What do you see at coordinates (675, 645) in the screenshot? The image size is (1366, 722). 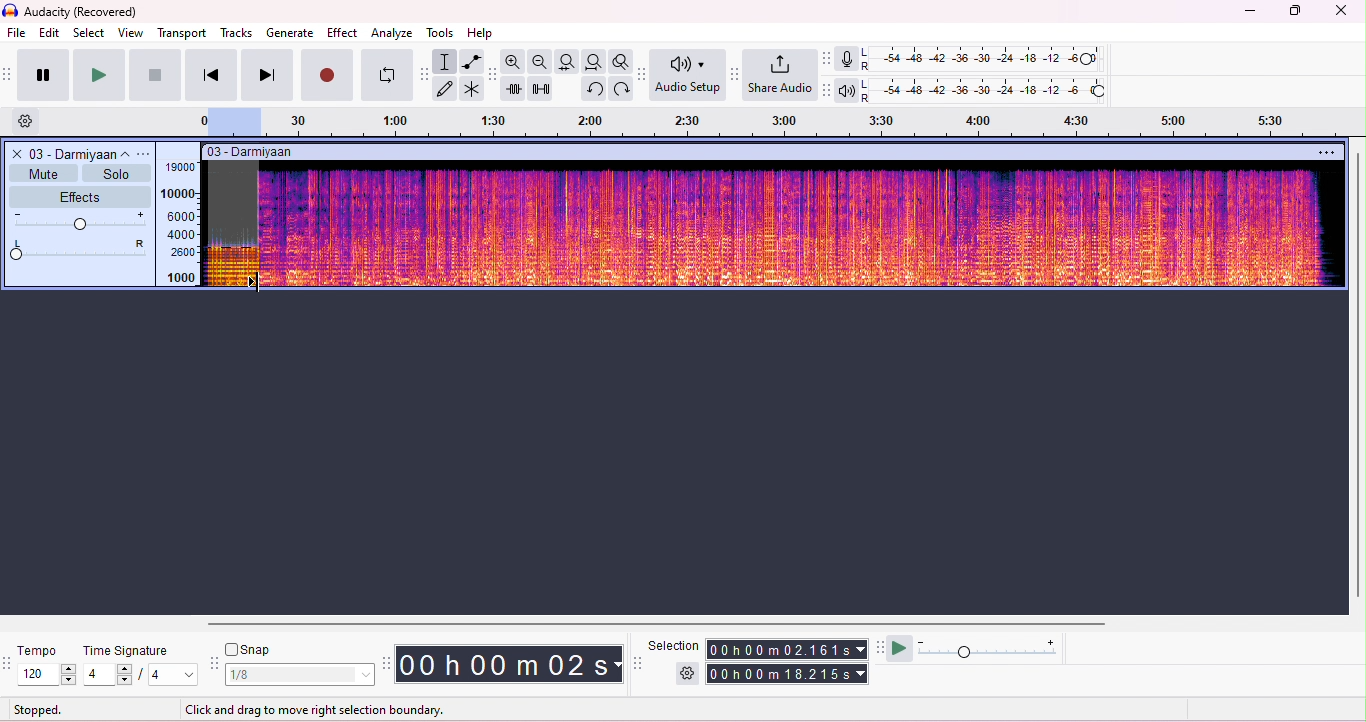 I see `selection` at bounding box center [675, 645].